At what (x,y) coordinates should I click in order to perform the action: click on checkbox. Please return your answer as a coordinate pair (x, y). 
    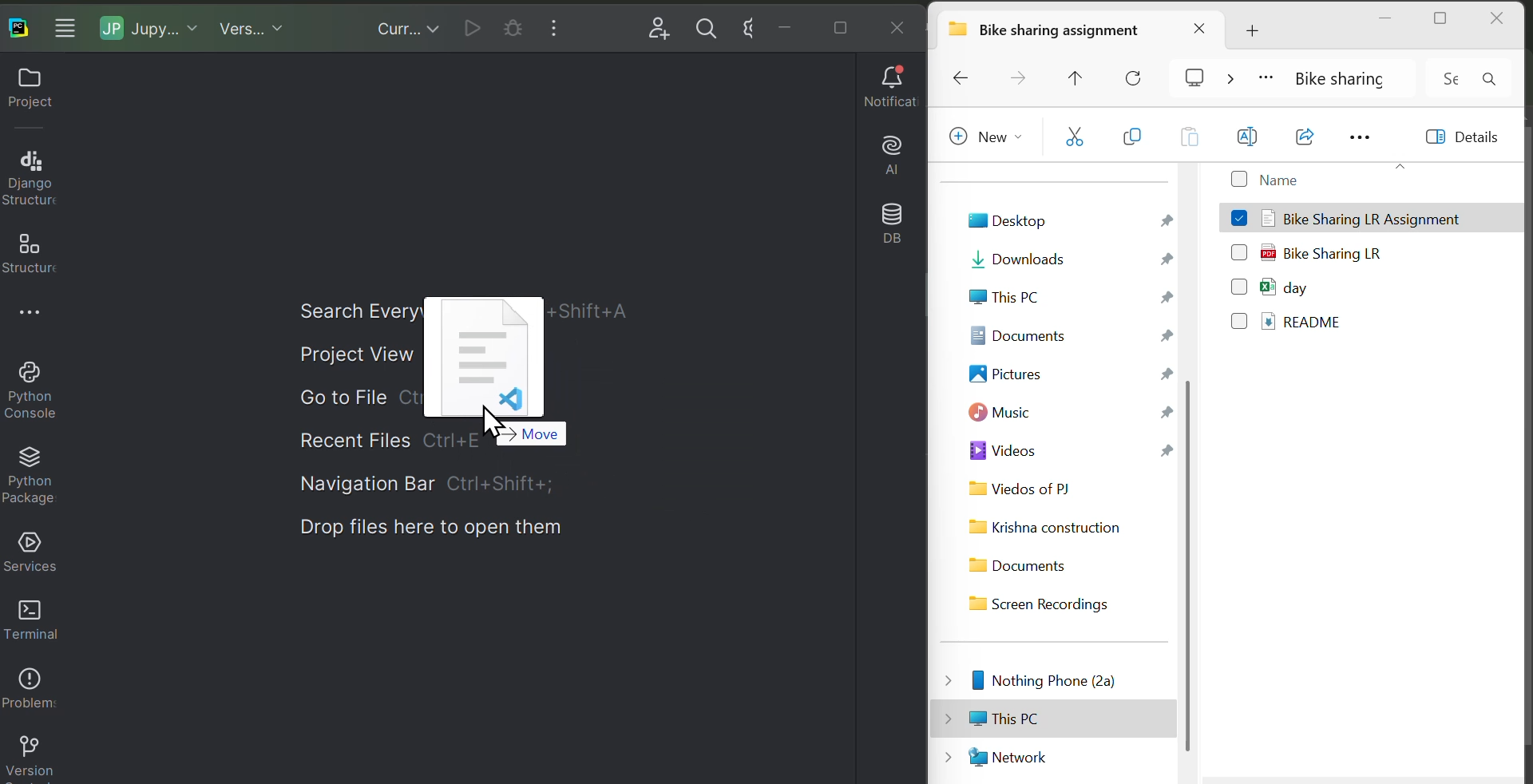
    Looking at the image, I should click on (1239, 247).